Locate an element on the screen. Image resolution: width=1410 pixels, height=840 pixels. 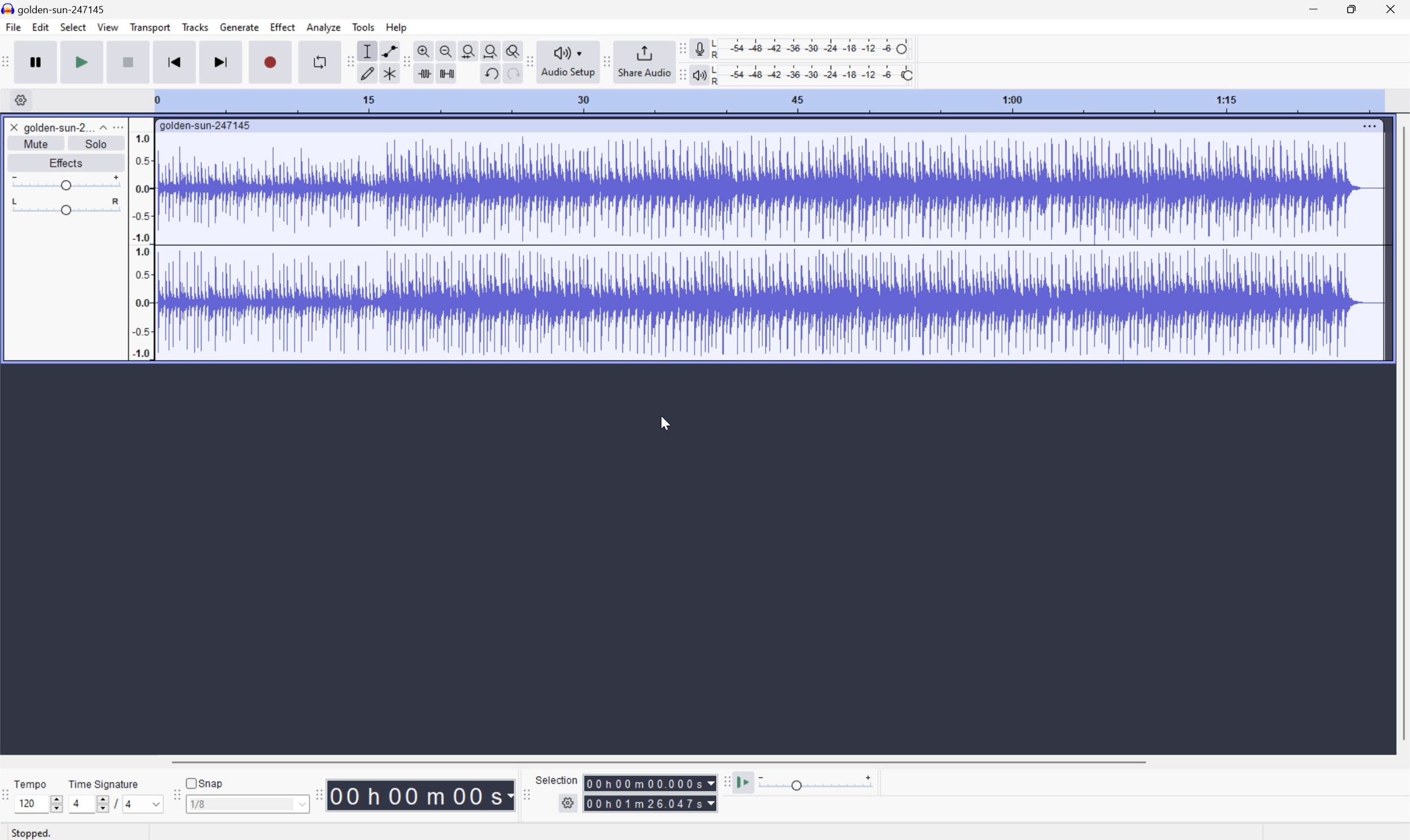
Mute is located at coordinates (36, 143).